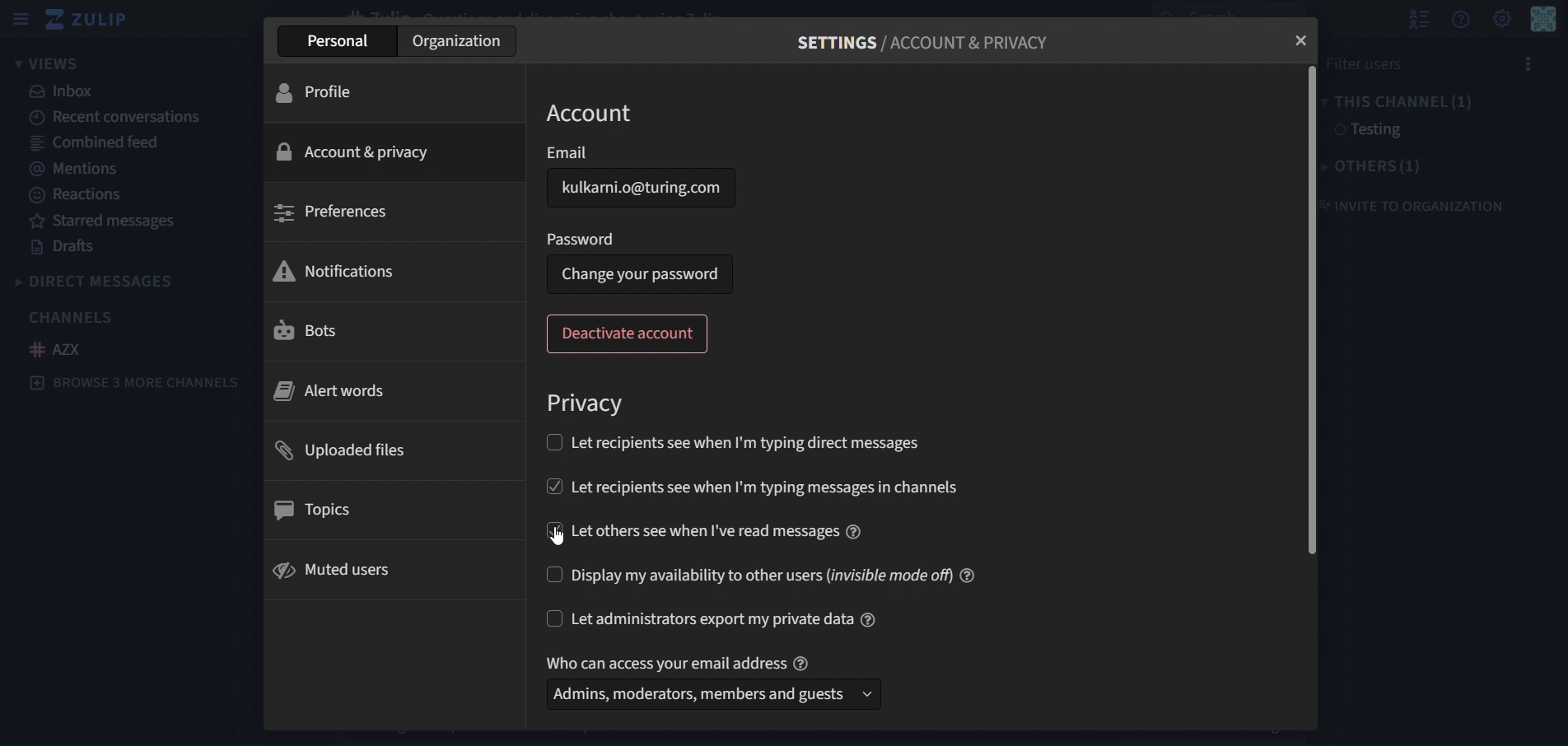 This screenshot has width=1568, height=746. I want to click on account & privacy, so click(362, 152).